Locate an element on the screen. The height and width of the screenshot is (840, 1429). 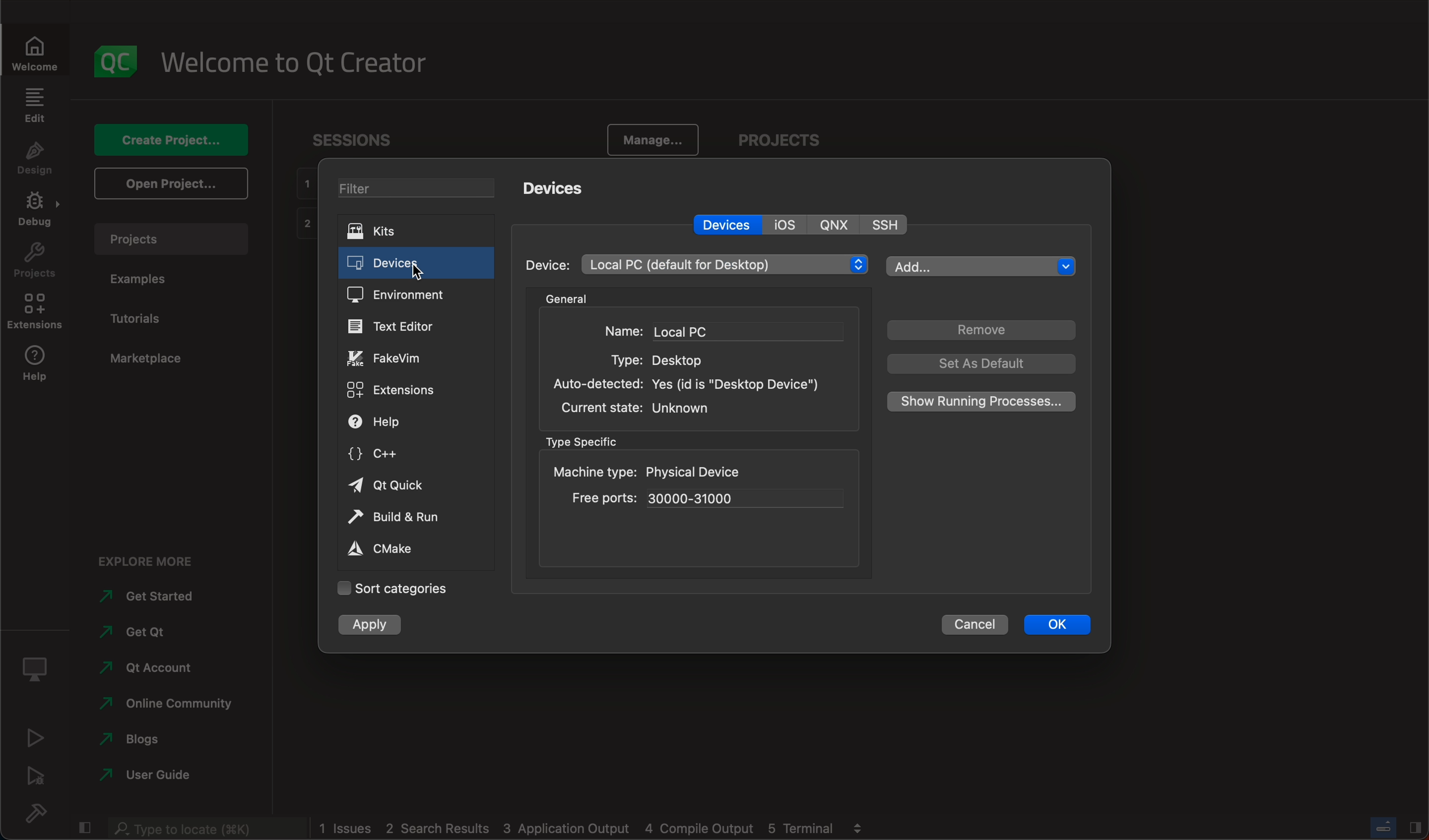
Type to locate (K) is located at coordinates (209, 829).